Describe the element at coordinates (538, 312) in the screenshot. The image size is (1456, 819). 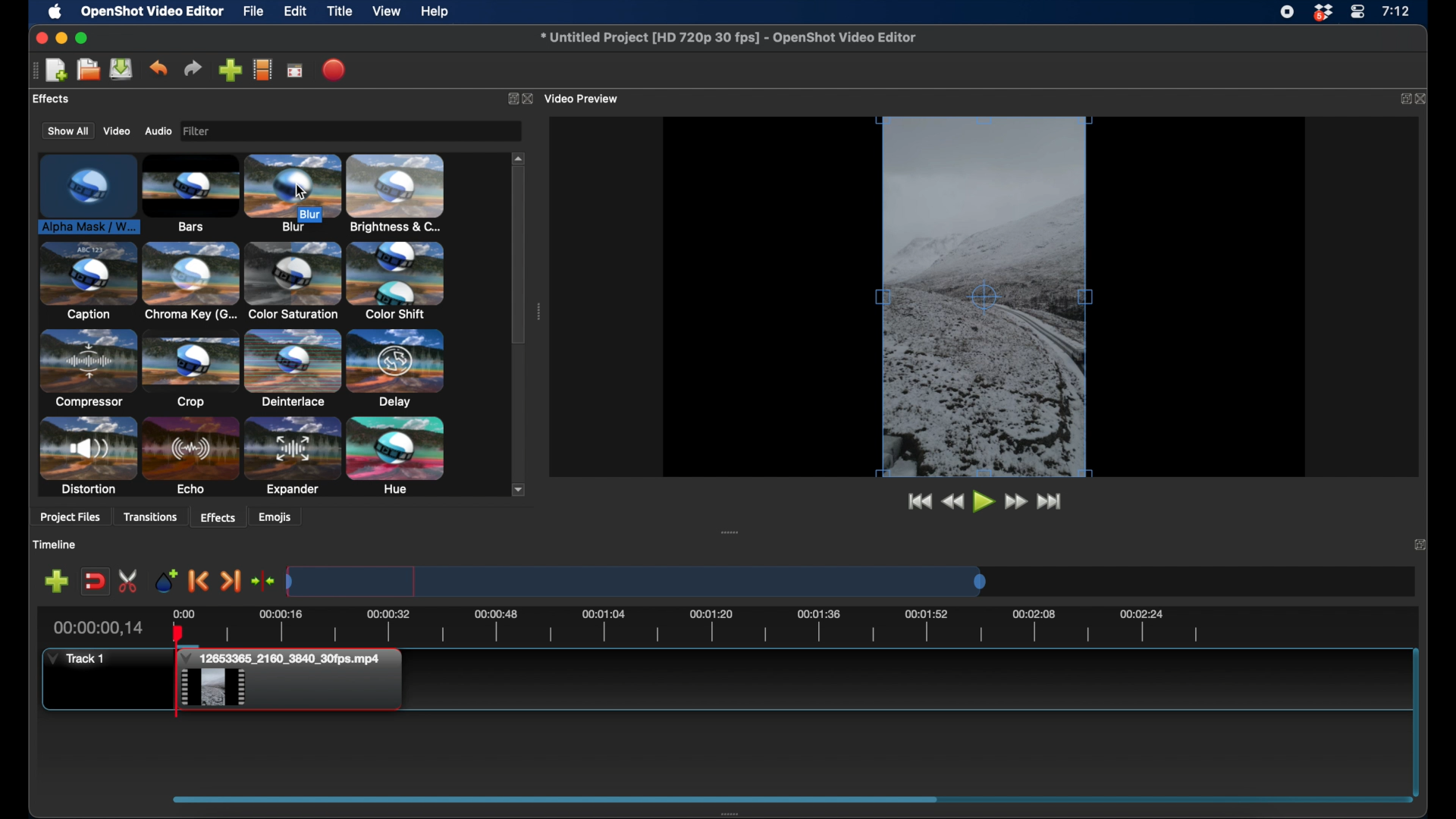
I see `drag handle` at that location.